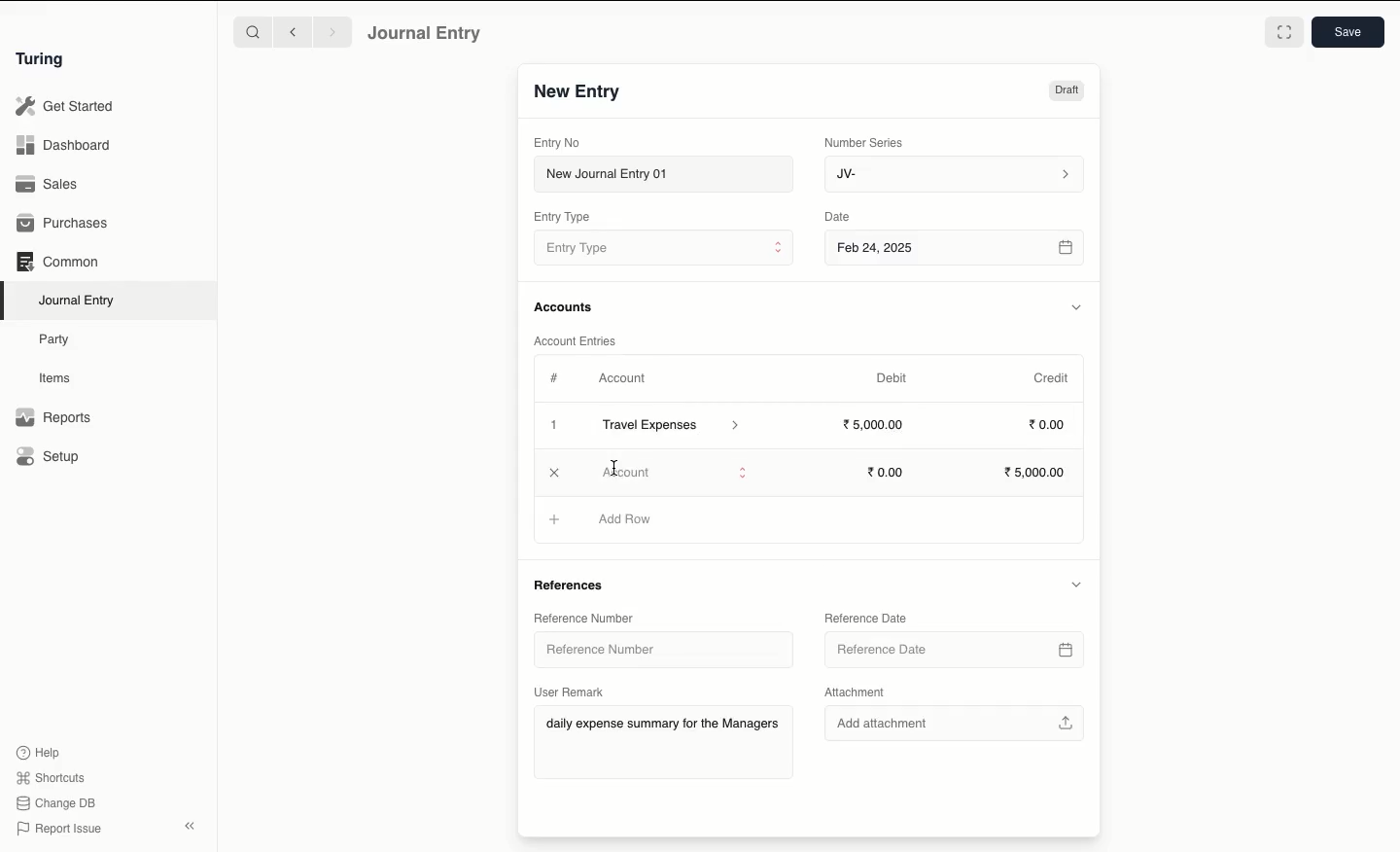  Describe the element at coordinates (957, 250) in the screenshot. I see `Feb 24, 2025` at that location.